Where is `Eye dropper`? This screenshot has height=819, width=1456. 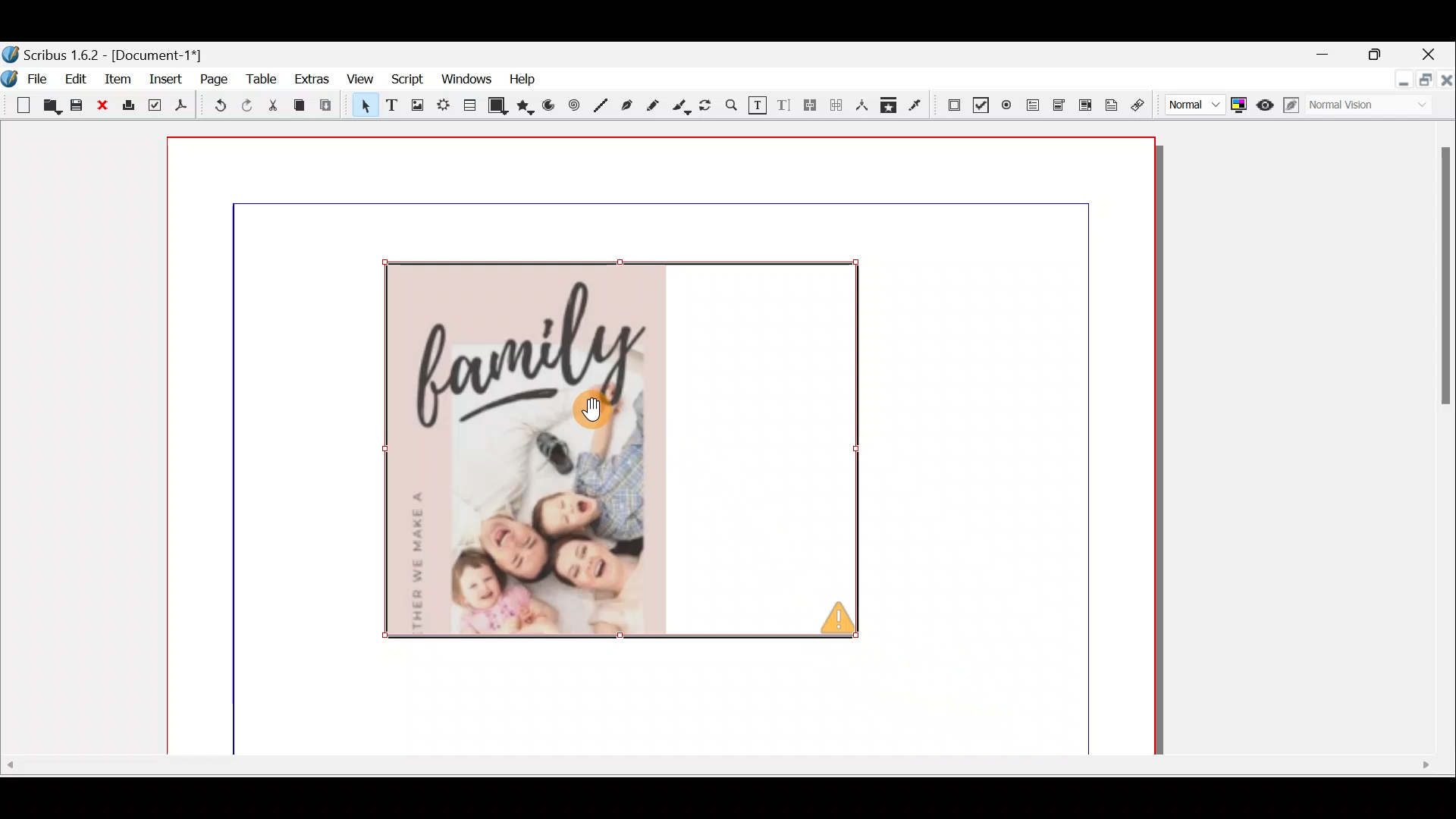
Eye dropper is located at coordinates (917, 104).